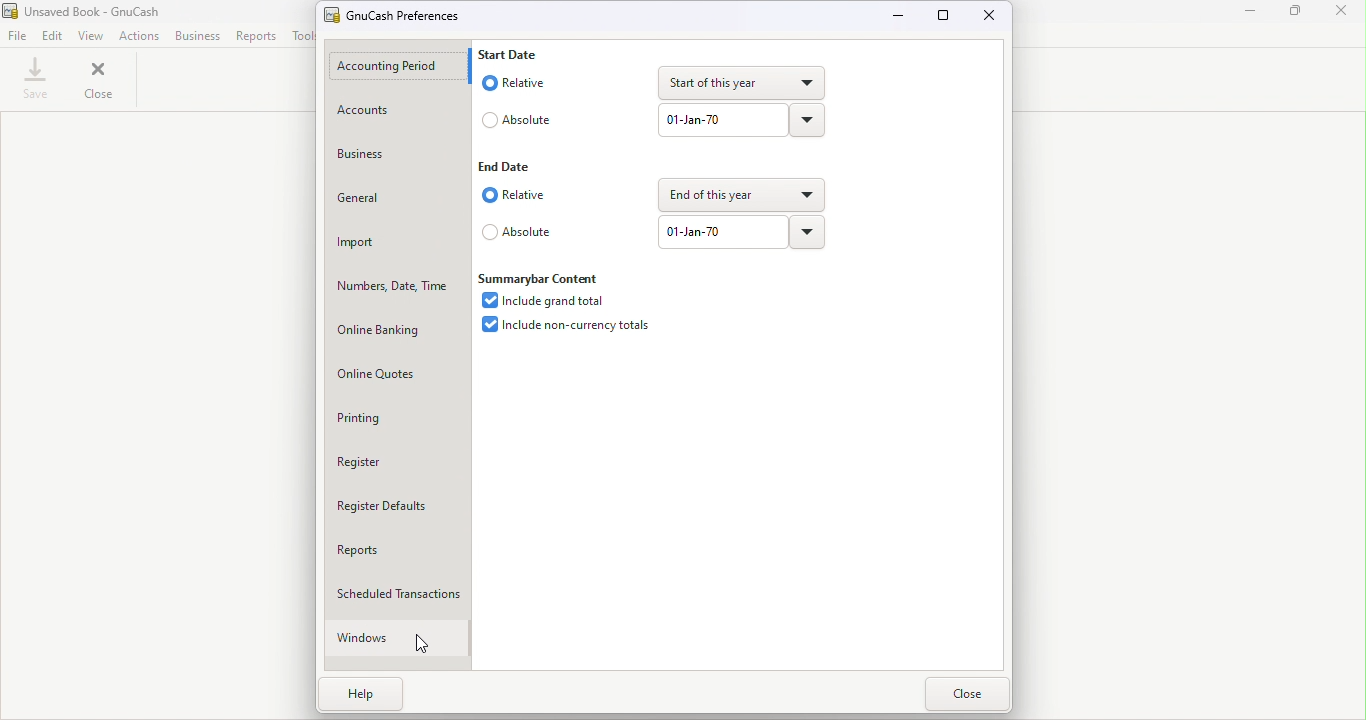 The height and width of the screenshot is (720, 1366). What do you see at coordinates (512, 195) in the screenshot?
I see `Relative` at bounding box center [512, 195].